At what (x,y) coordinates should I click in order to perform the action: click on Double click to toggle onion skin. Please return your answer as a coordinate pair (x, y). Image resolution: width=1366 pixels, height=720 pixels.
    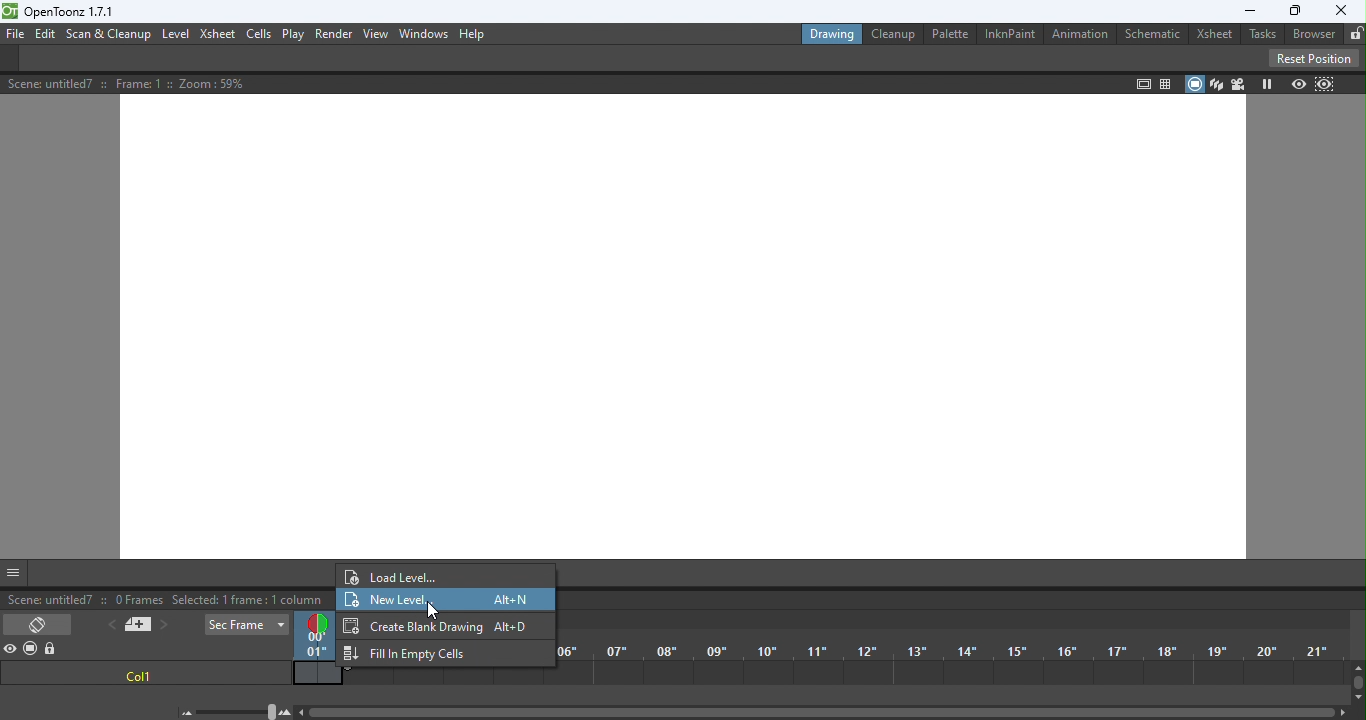
    Looking at the image, I should click on (315, 622).